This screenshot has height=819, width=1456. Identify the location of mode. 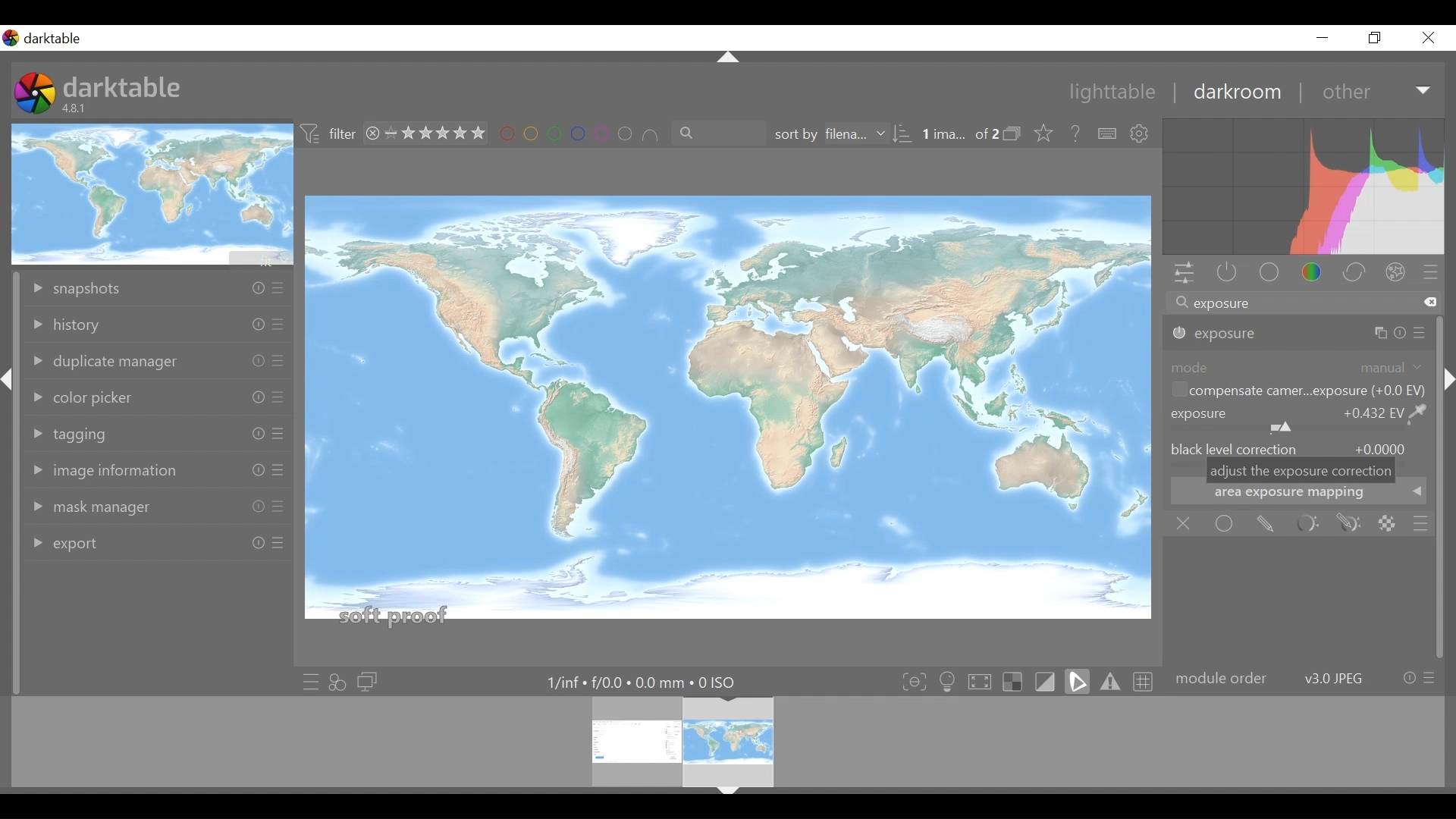
(1298, 366).